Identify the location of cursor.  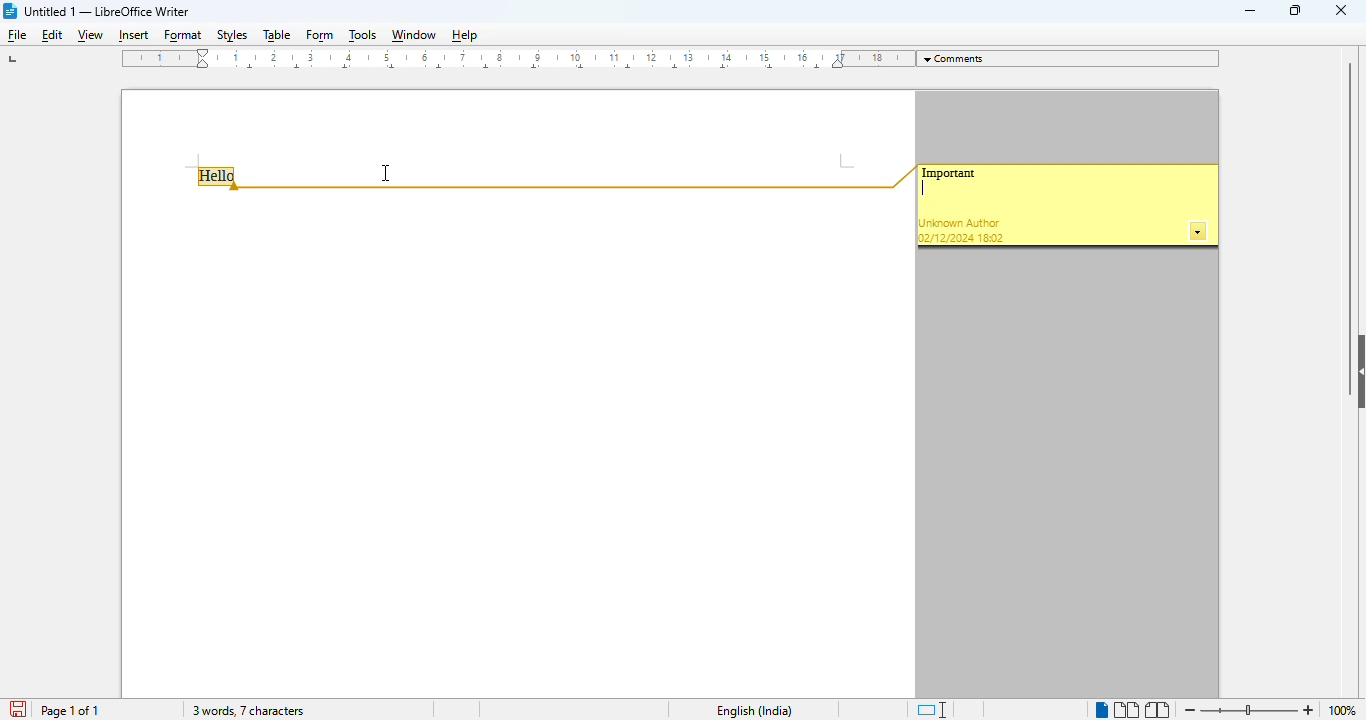
(386, 173).